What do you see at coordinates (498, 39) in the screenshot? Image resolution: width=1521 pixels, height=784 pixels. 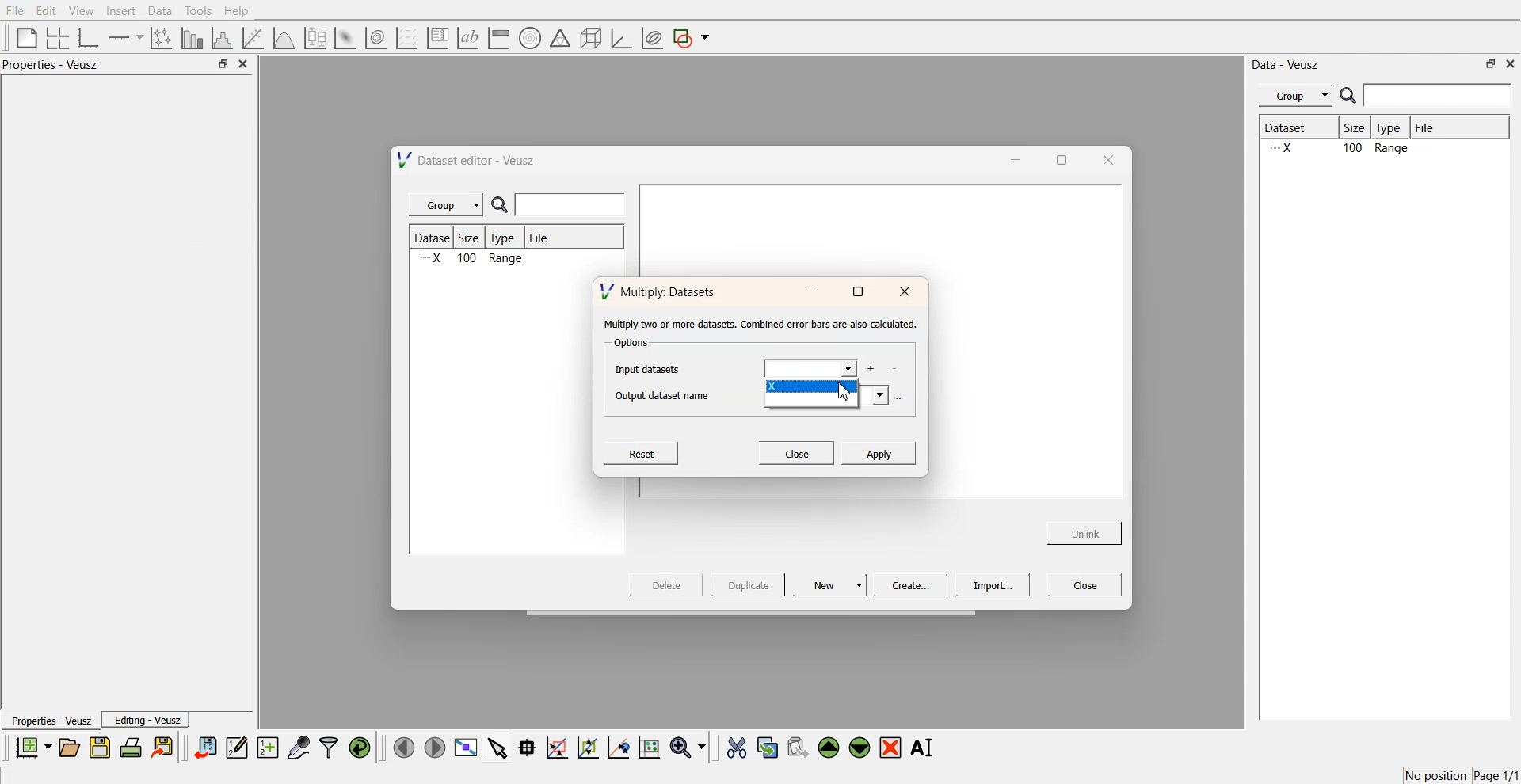 I see `image color bar` at bounding box center [498, 39].